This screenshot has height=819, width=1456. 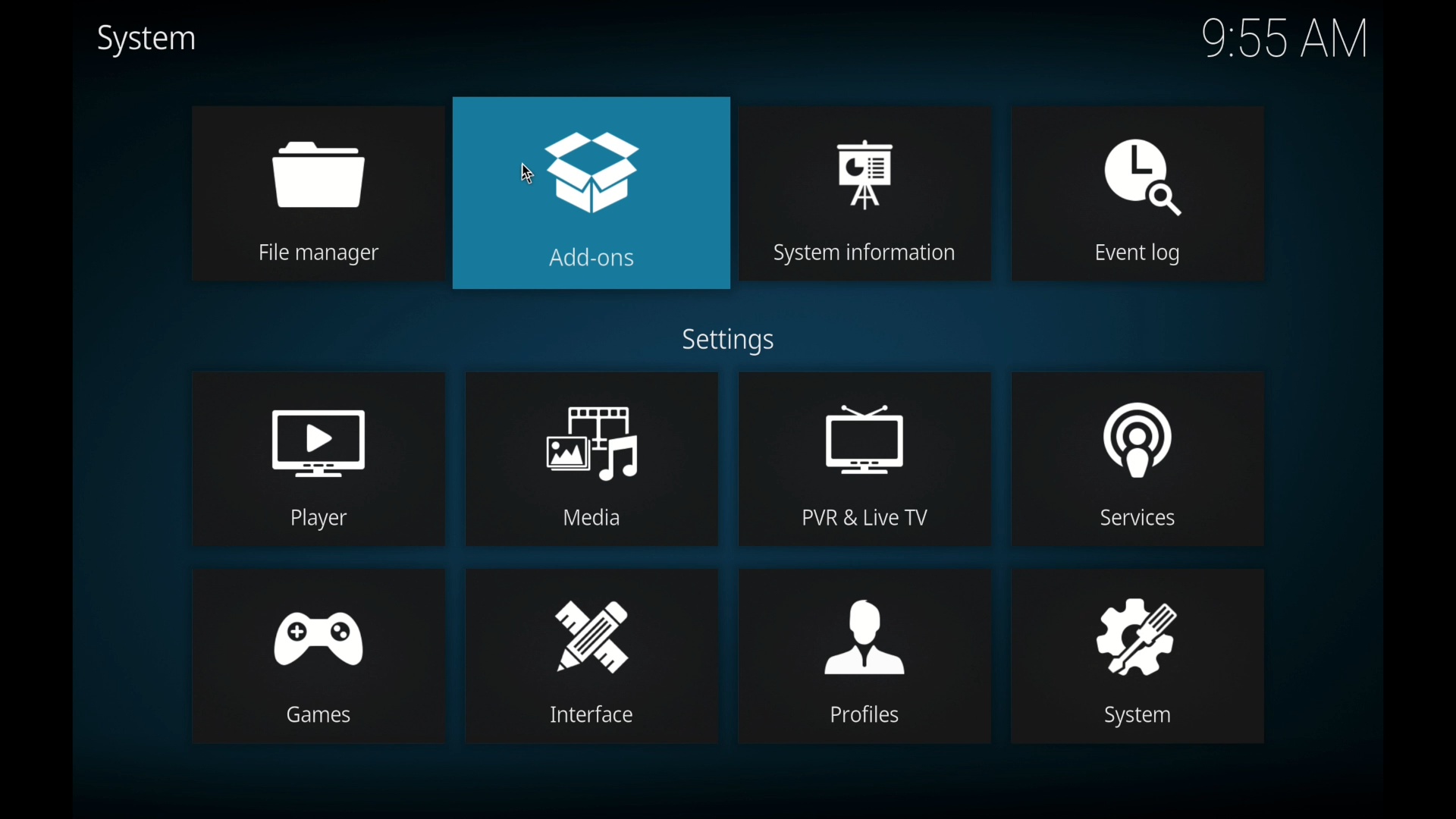 What do you see at coordinates (726, 341) in the screenshot?
I see `settings` at bounding box center [726, 341].